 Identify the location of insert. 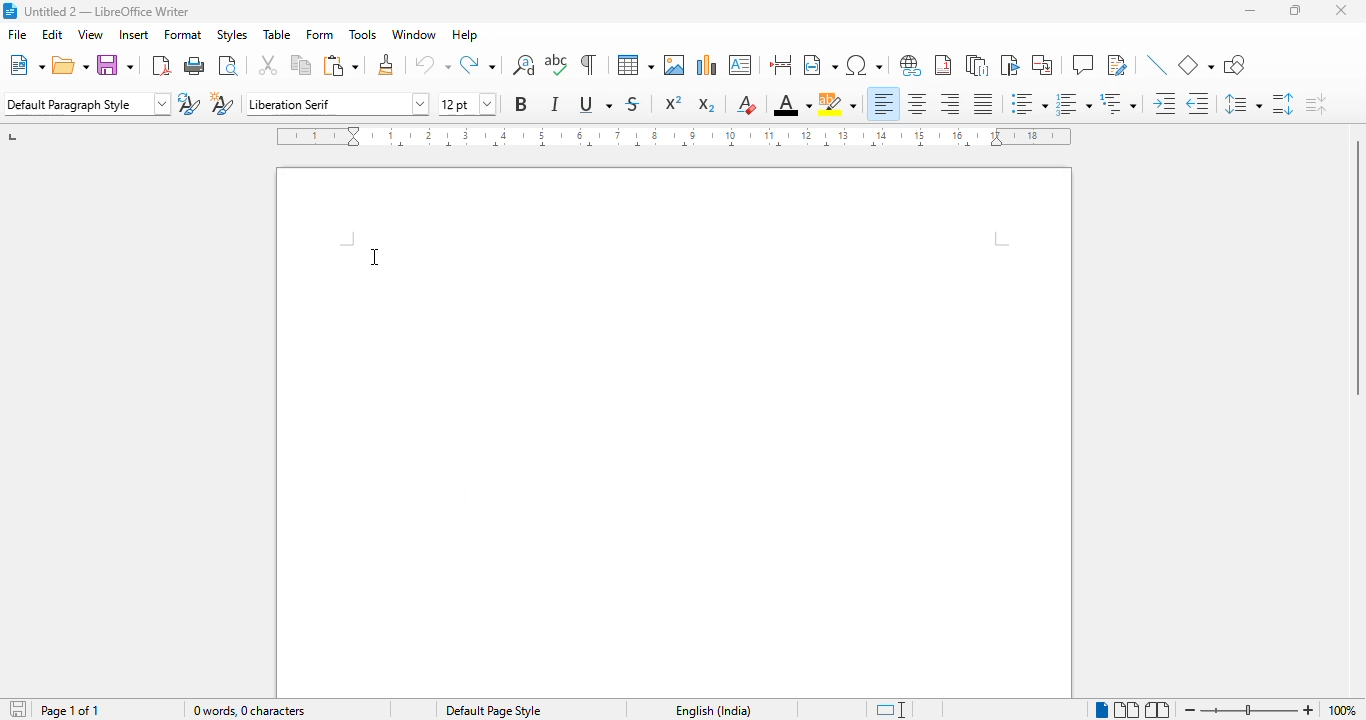
(134, 34).